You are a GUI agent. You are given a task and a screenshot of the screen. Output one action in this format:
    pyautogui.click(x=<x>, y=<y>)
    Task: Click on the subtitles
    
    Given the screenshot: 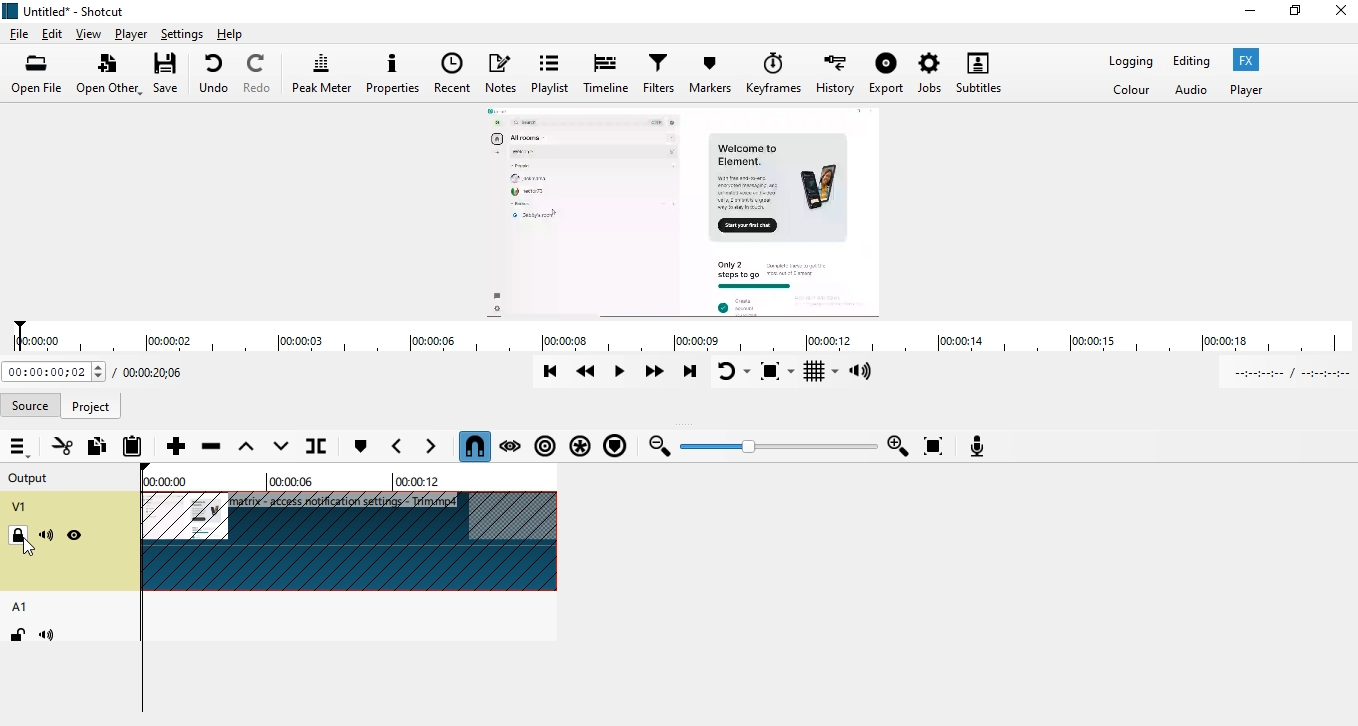 What is the action you would take?
    pyautogui.click(x=978, y=73)
    